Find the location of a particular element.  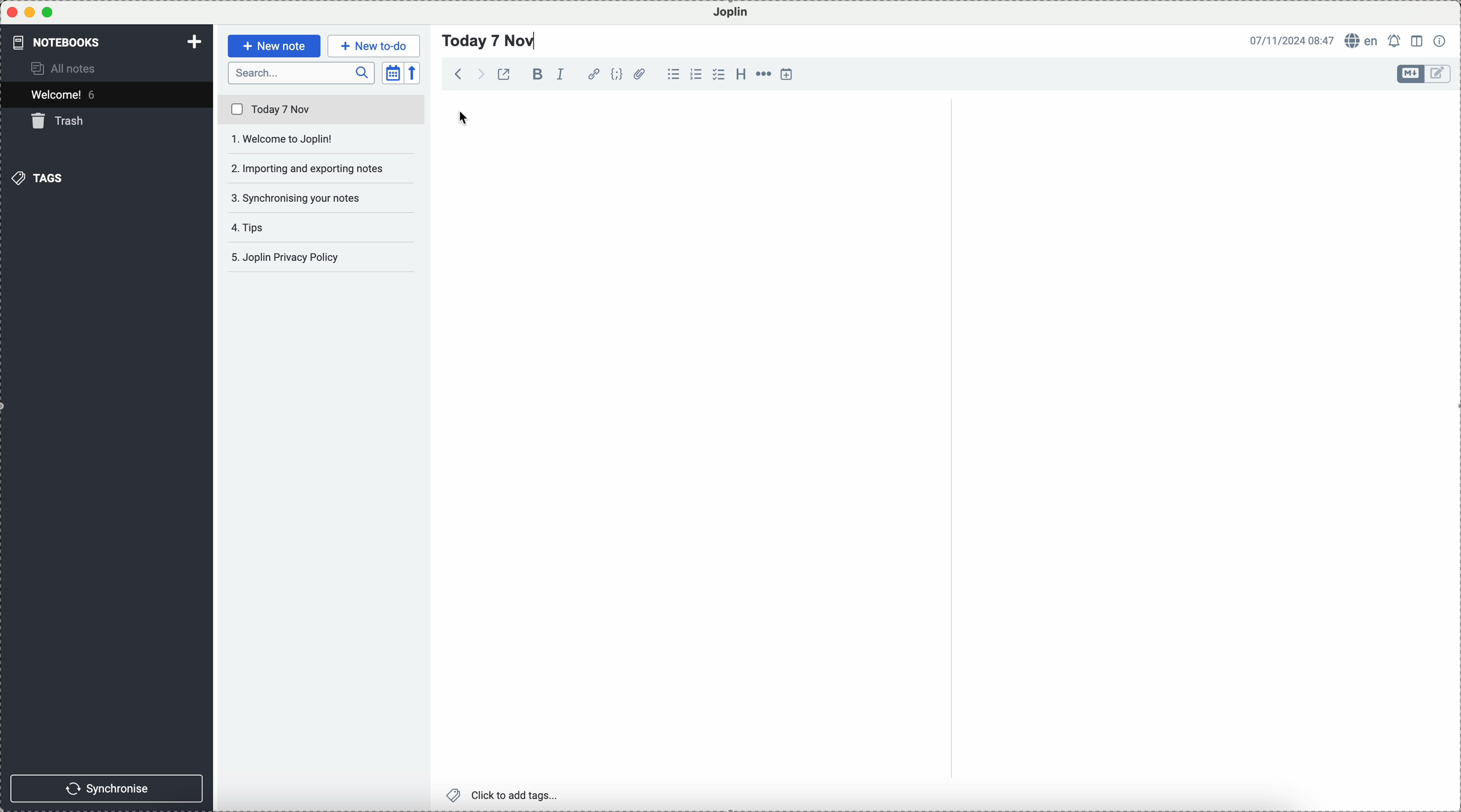

italic is located at coordinates (561, 74).